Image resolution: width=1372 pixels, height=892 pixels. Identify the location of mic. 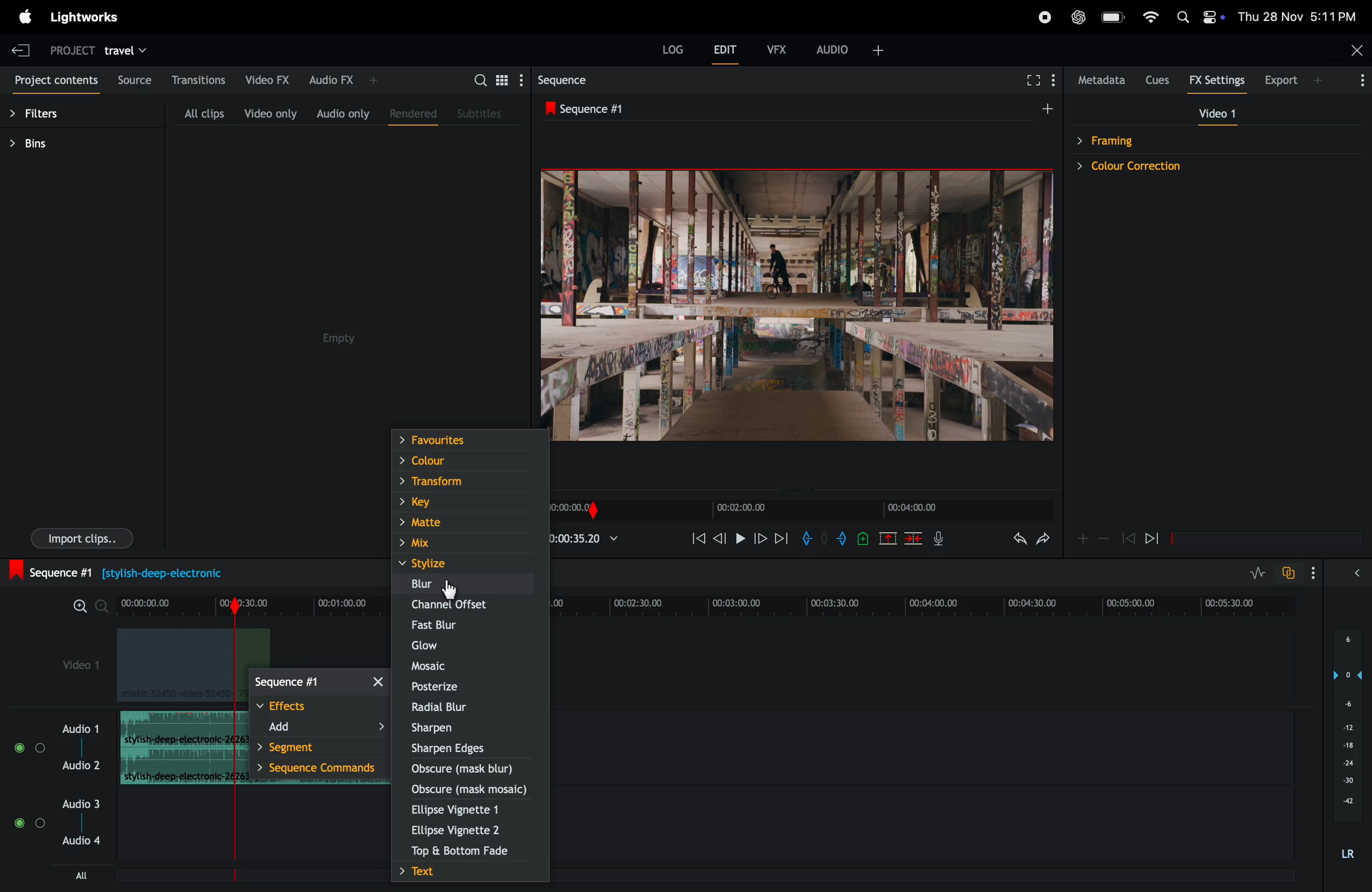
(943, 540).